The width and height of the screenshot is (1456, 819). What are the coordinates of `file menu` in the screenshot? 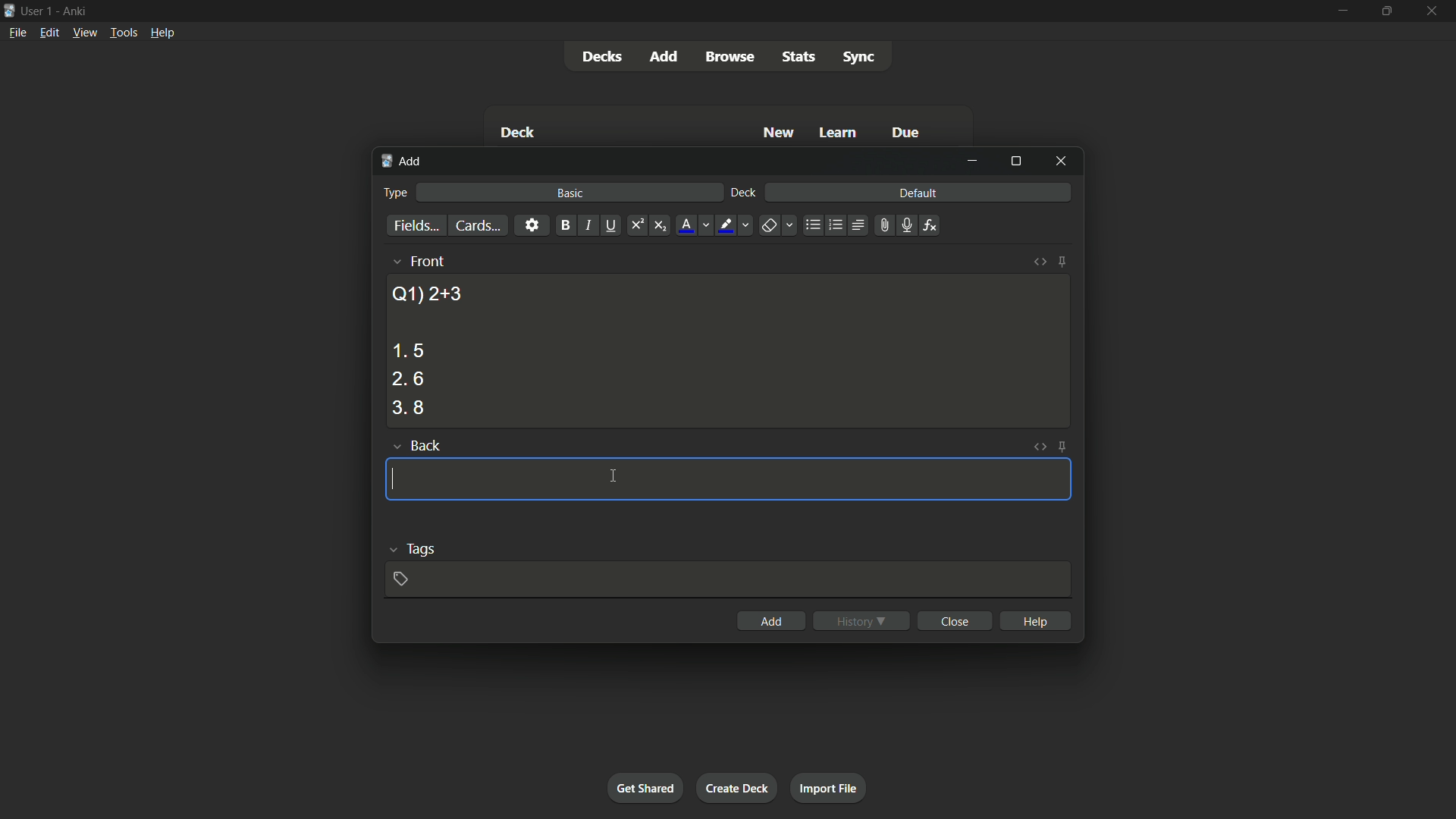 It's located at (19, 32).